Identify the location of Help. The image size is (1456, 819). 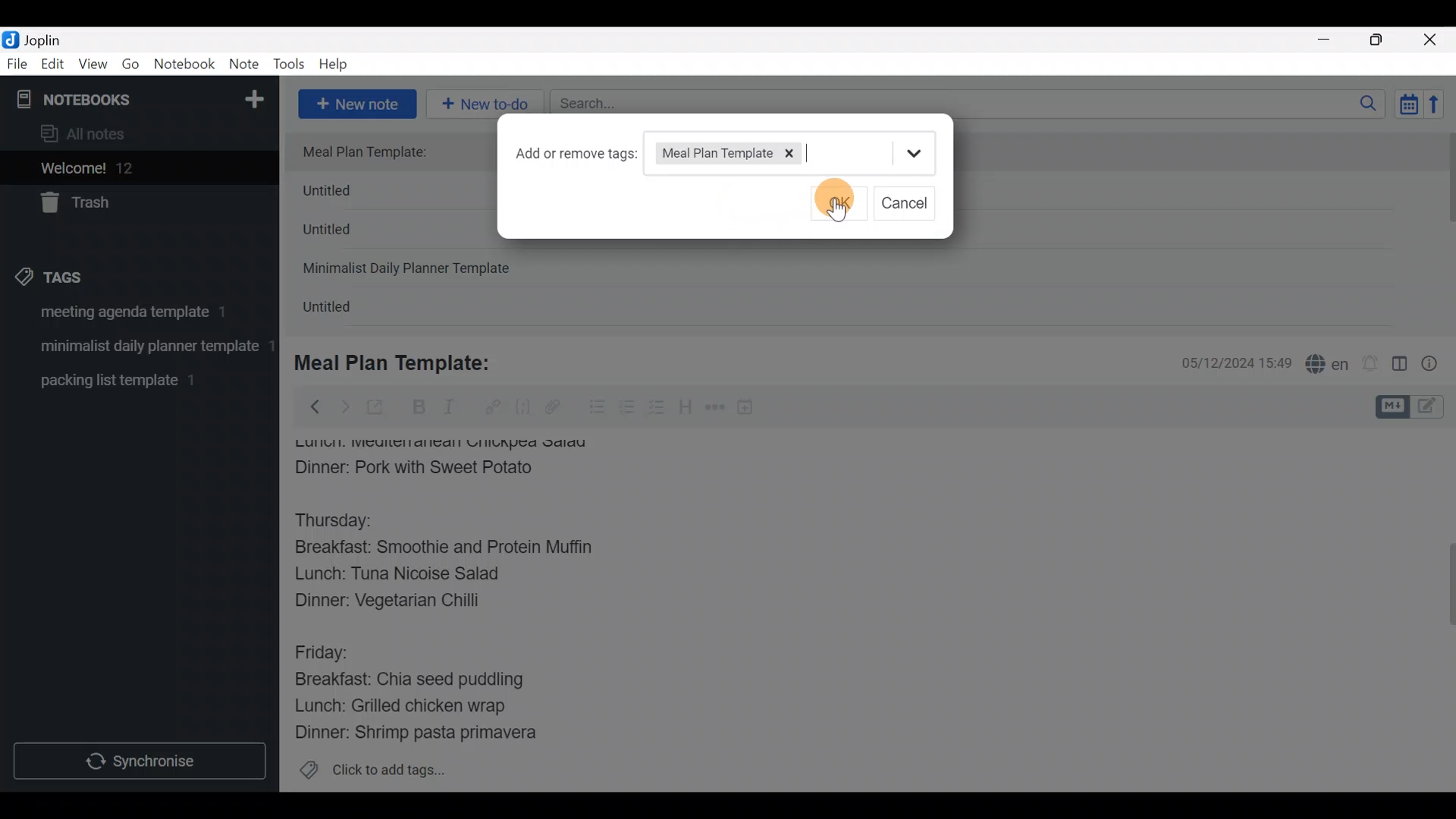
(339, 61).